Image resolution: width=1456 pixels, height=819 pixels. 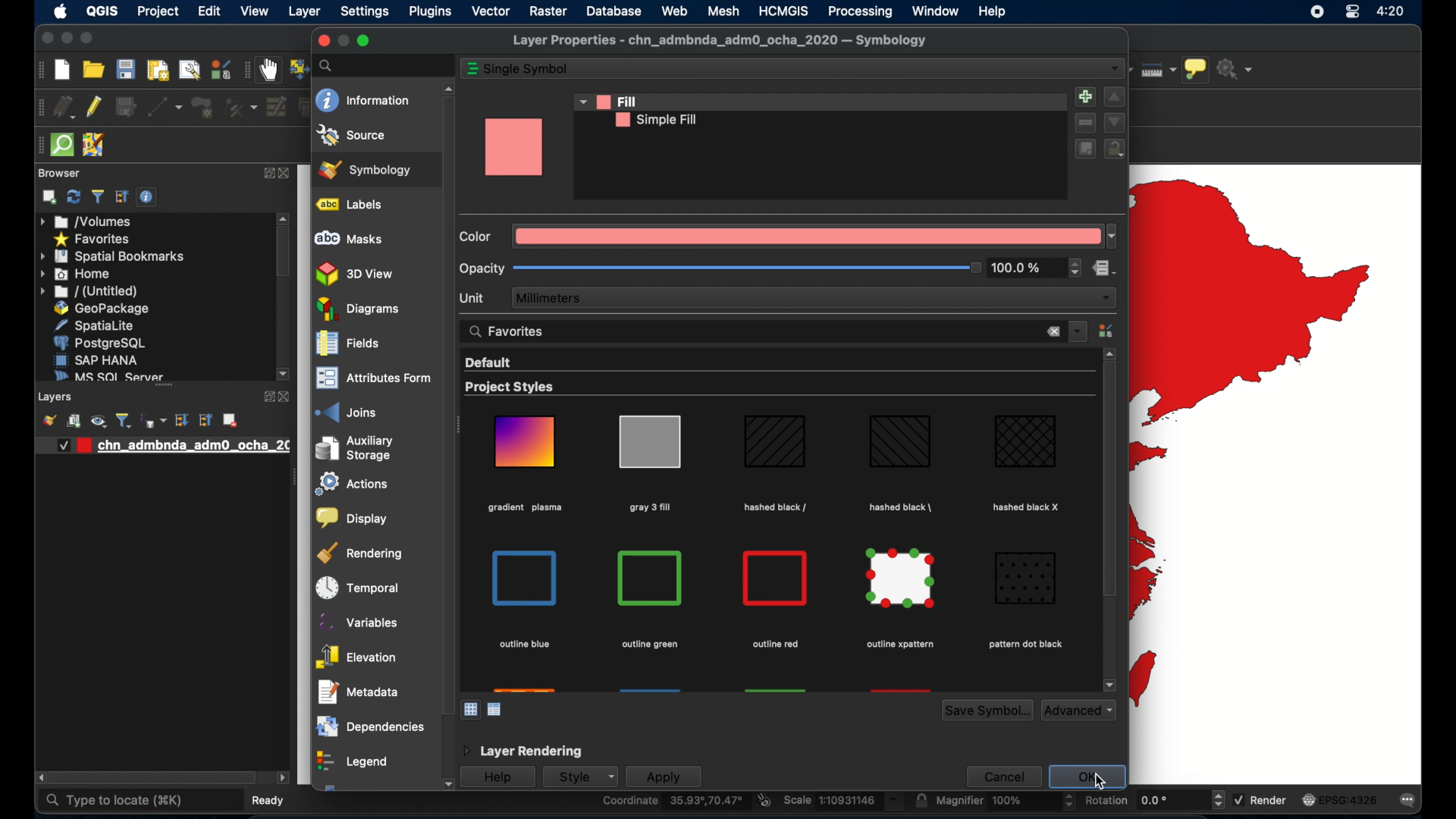 What do you see at coordinates (59, 11) in the screenshot?
I see `apple icon` at bounding box center [59, 11].